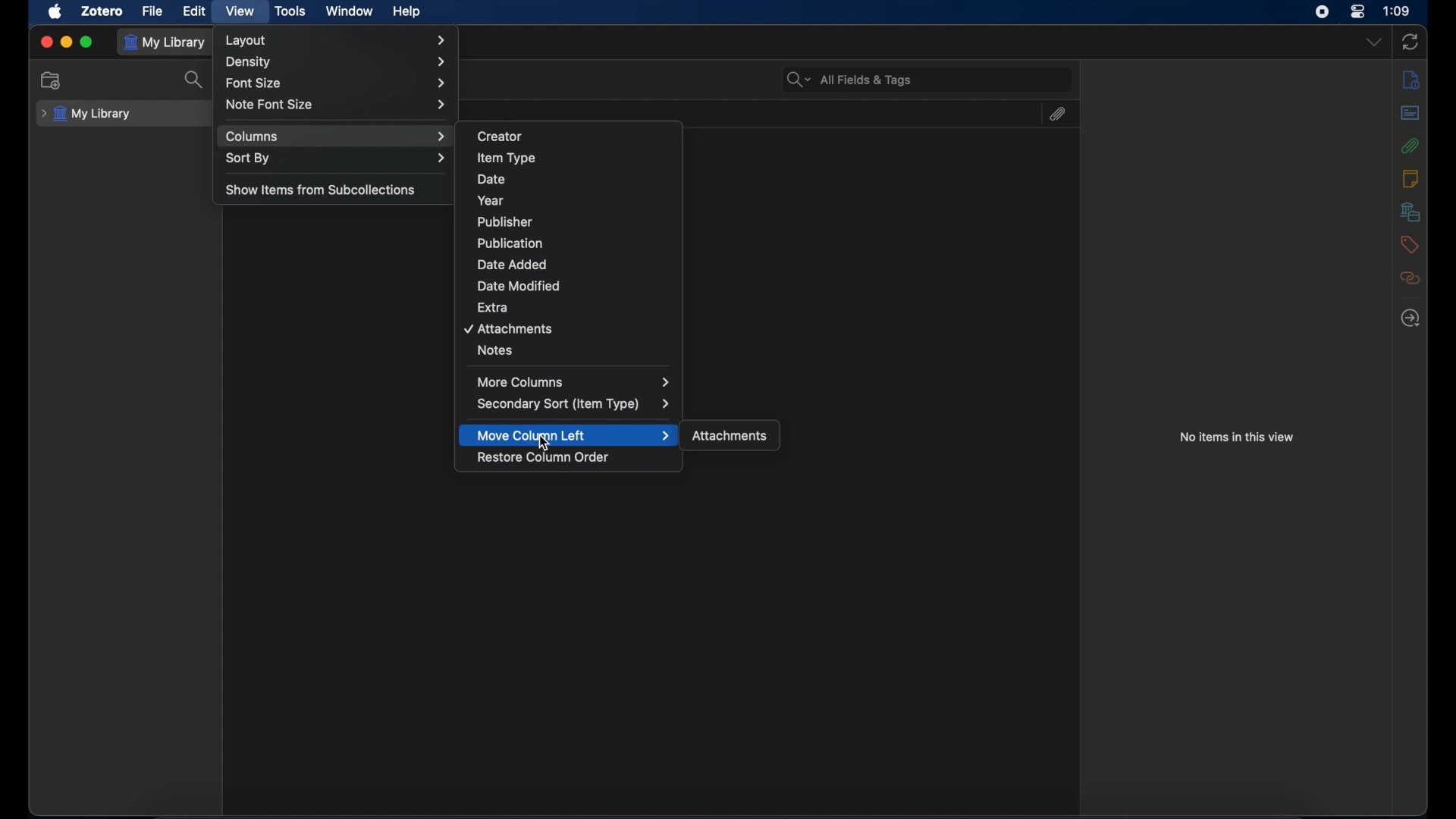 The image size is (1456, 819). Describe the element at coordinates (519, 286) in the screenshot. I see `date modified` at that location.